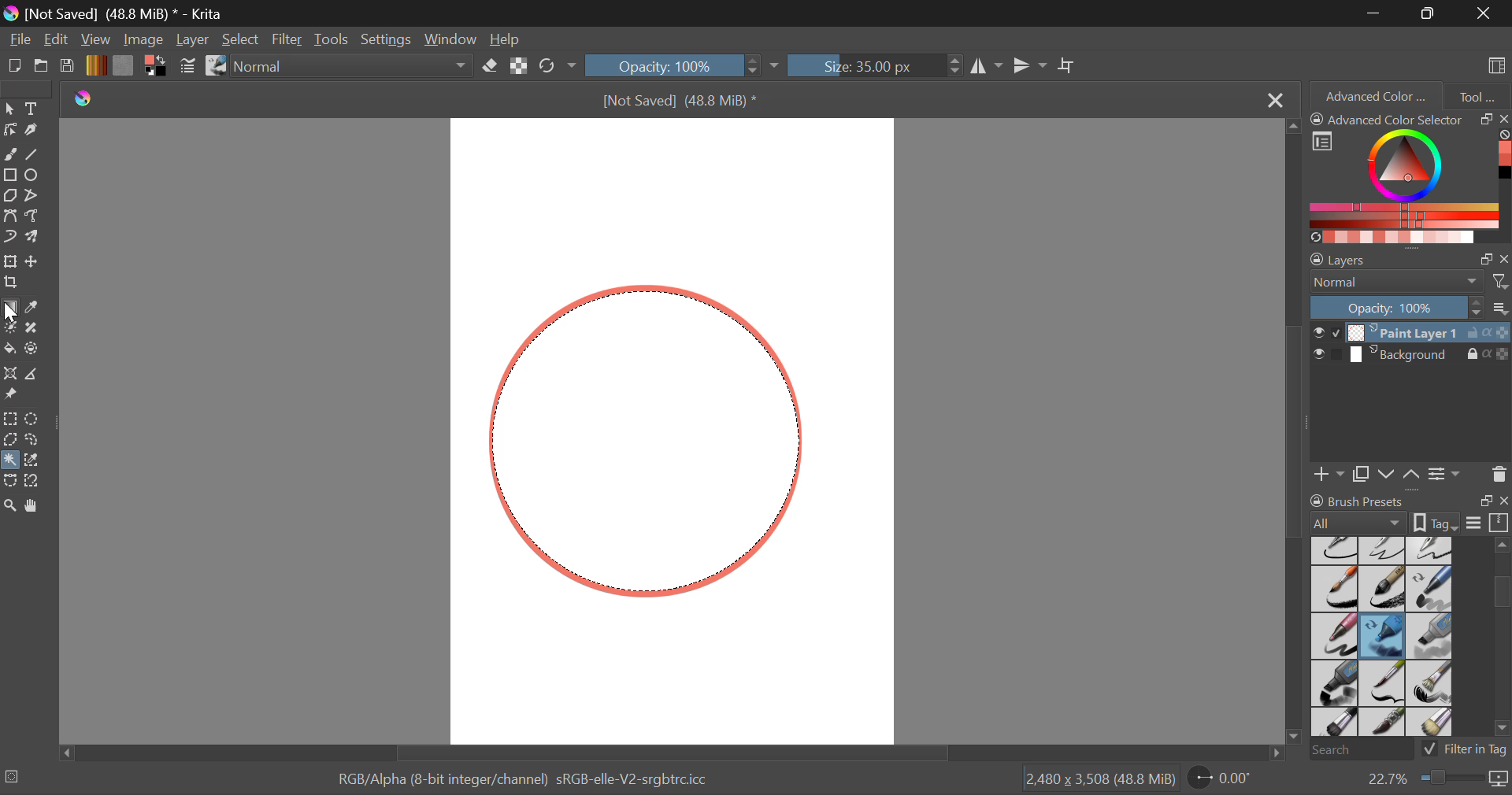  What do you see at coordinates (390, 39) in the screenshot?
I see `Settings` at bounding box center [390, 39].